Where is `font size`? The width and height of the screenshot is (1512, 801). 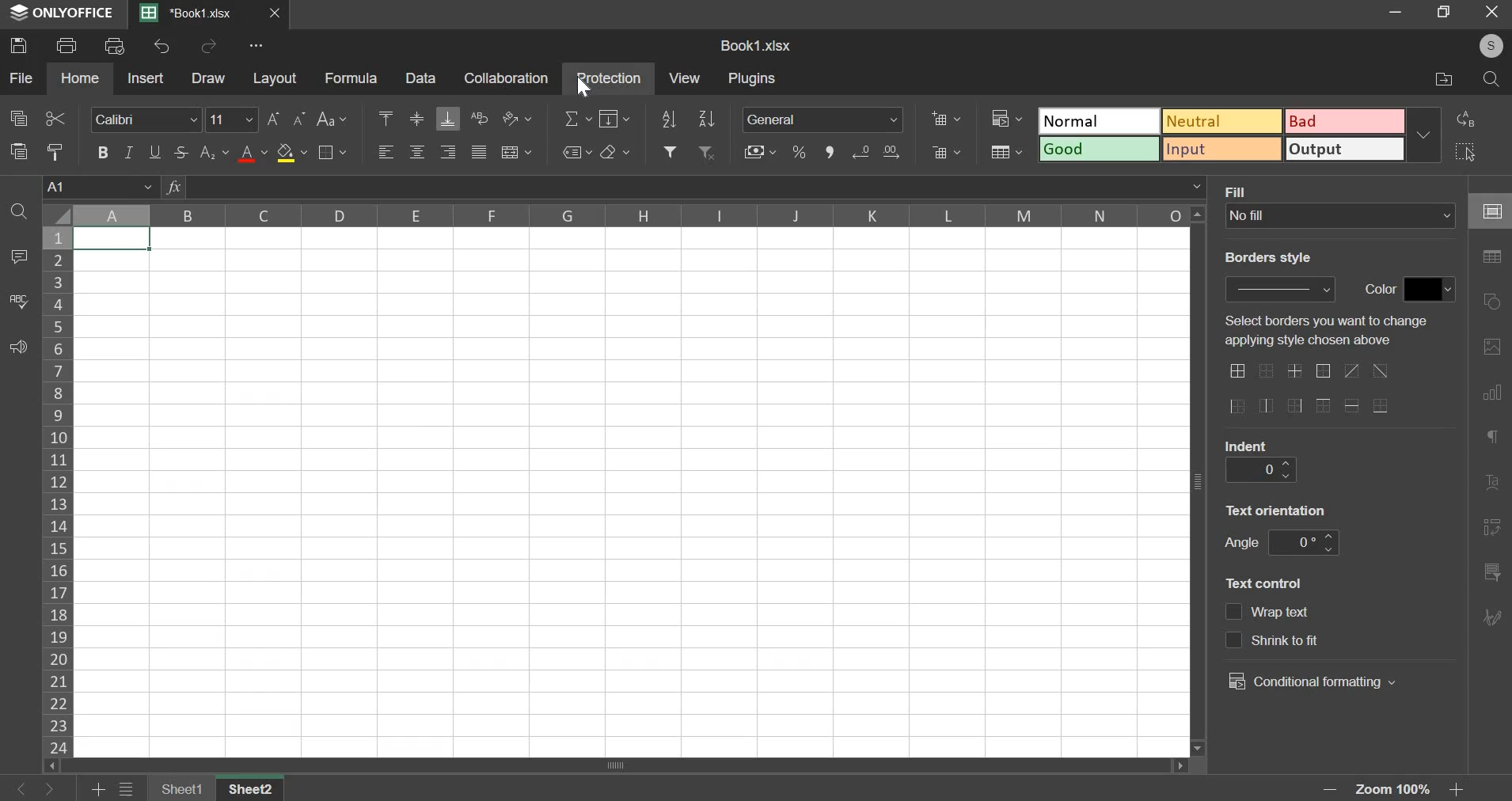 font size is located at coordinates (232, 120).